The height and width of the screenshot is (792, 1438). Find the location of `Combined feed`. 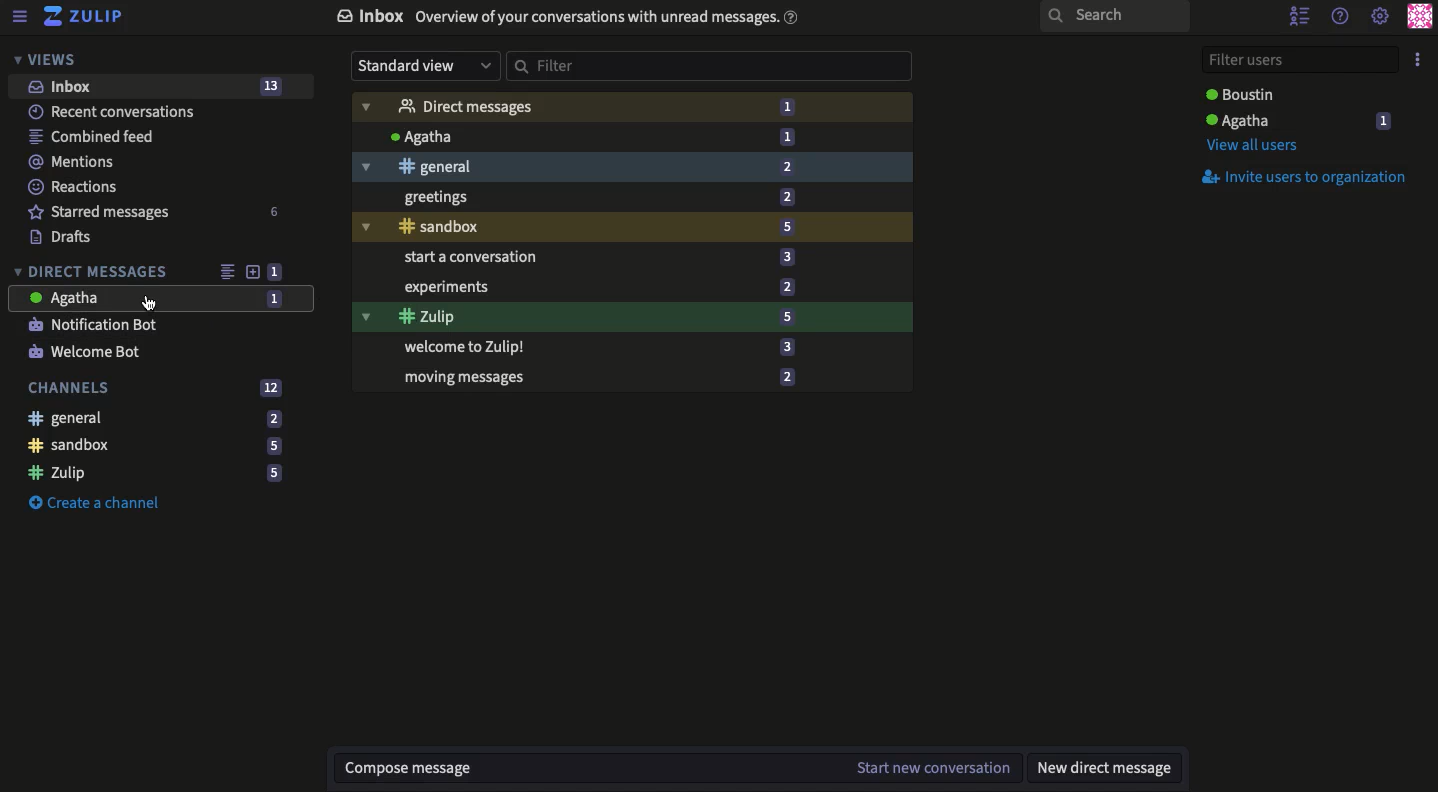

Combined feed is located at coordinates (93, 135).